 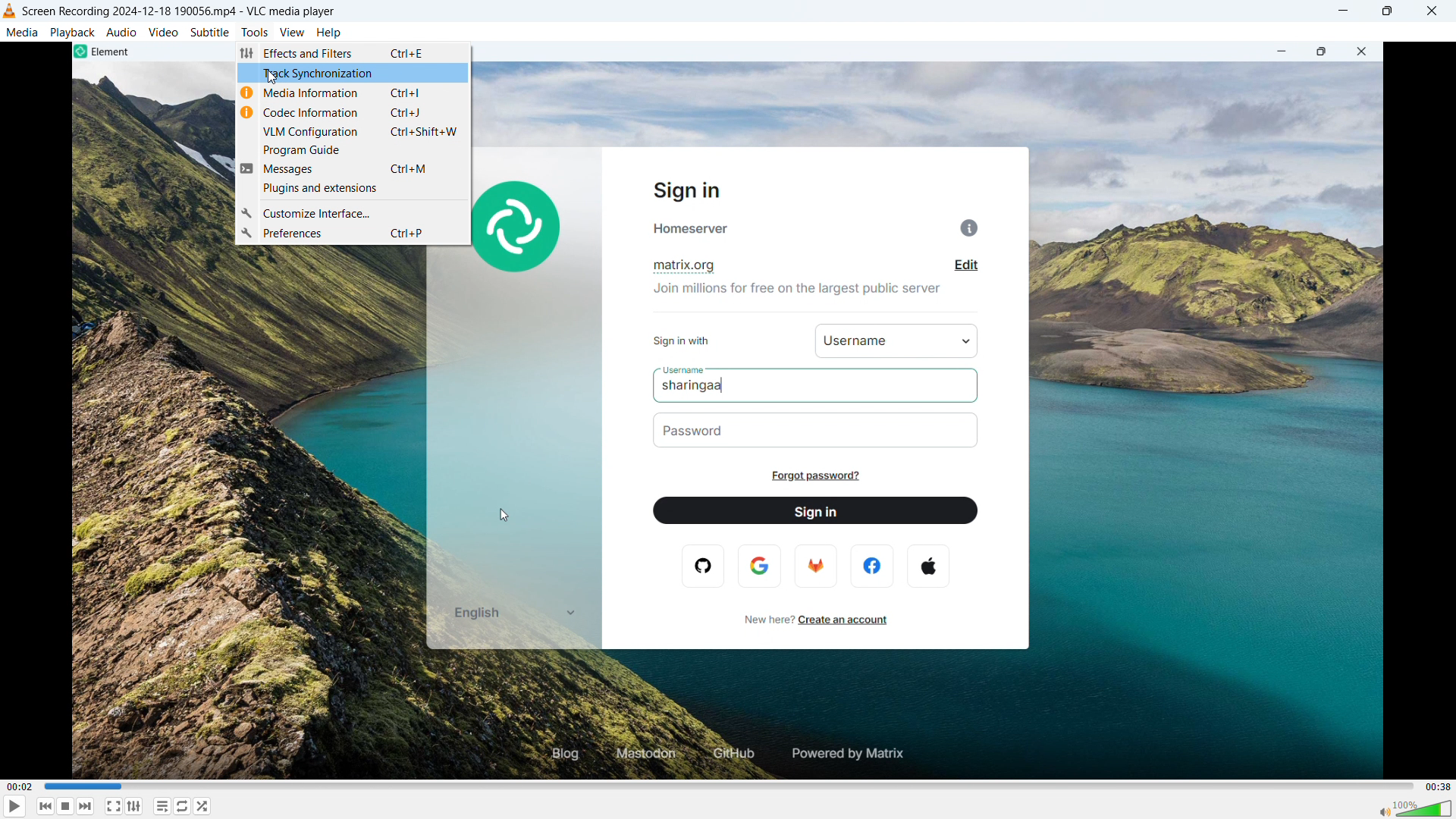 I want to click on screen recording 2024-12-188 190056 mp4 -vlc media player, so click(x=195, y=10).